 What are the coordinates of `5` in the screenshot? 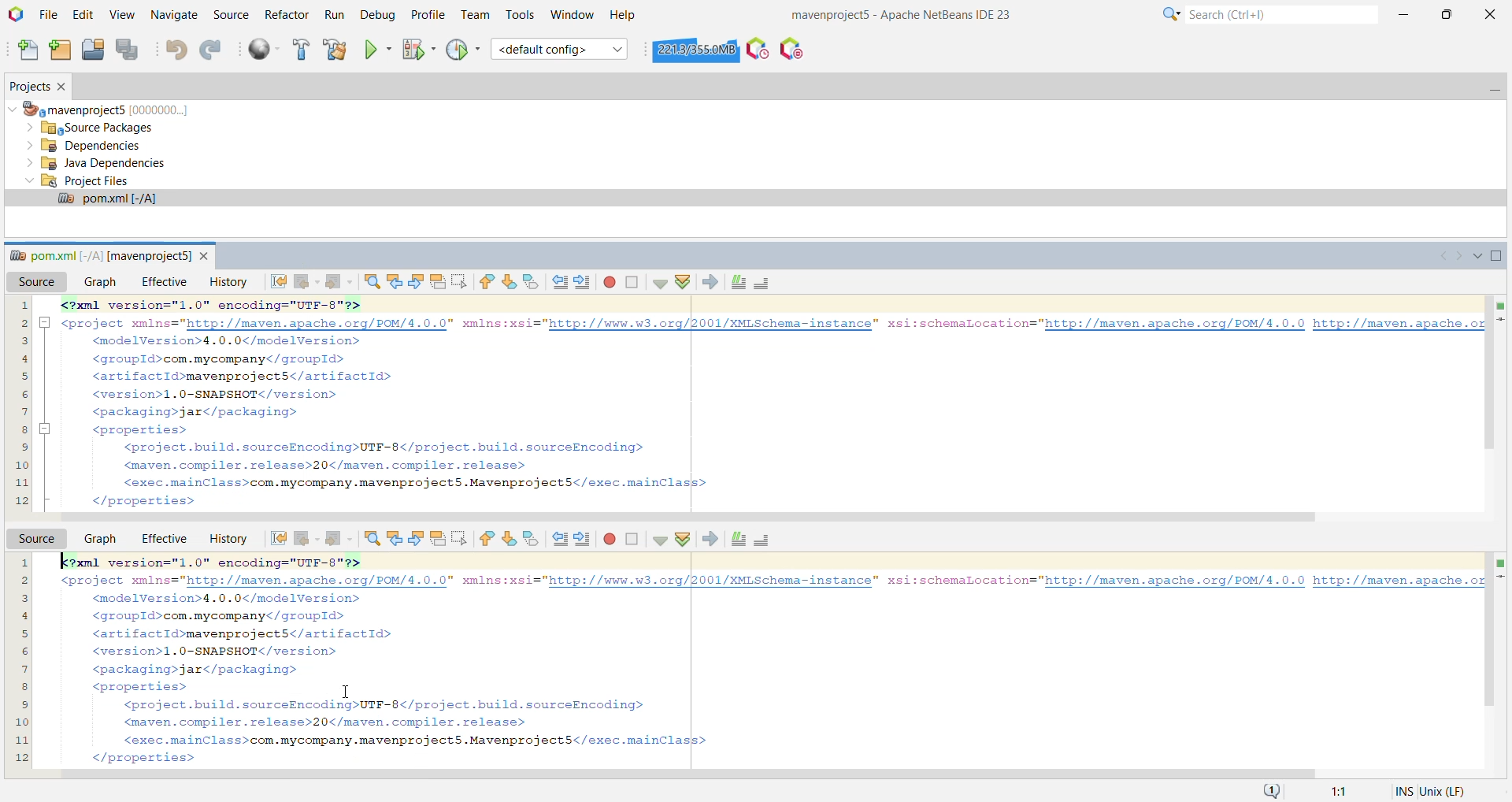 It's located at (20, 375).